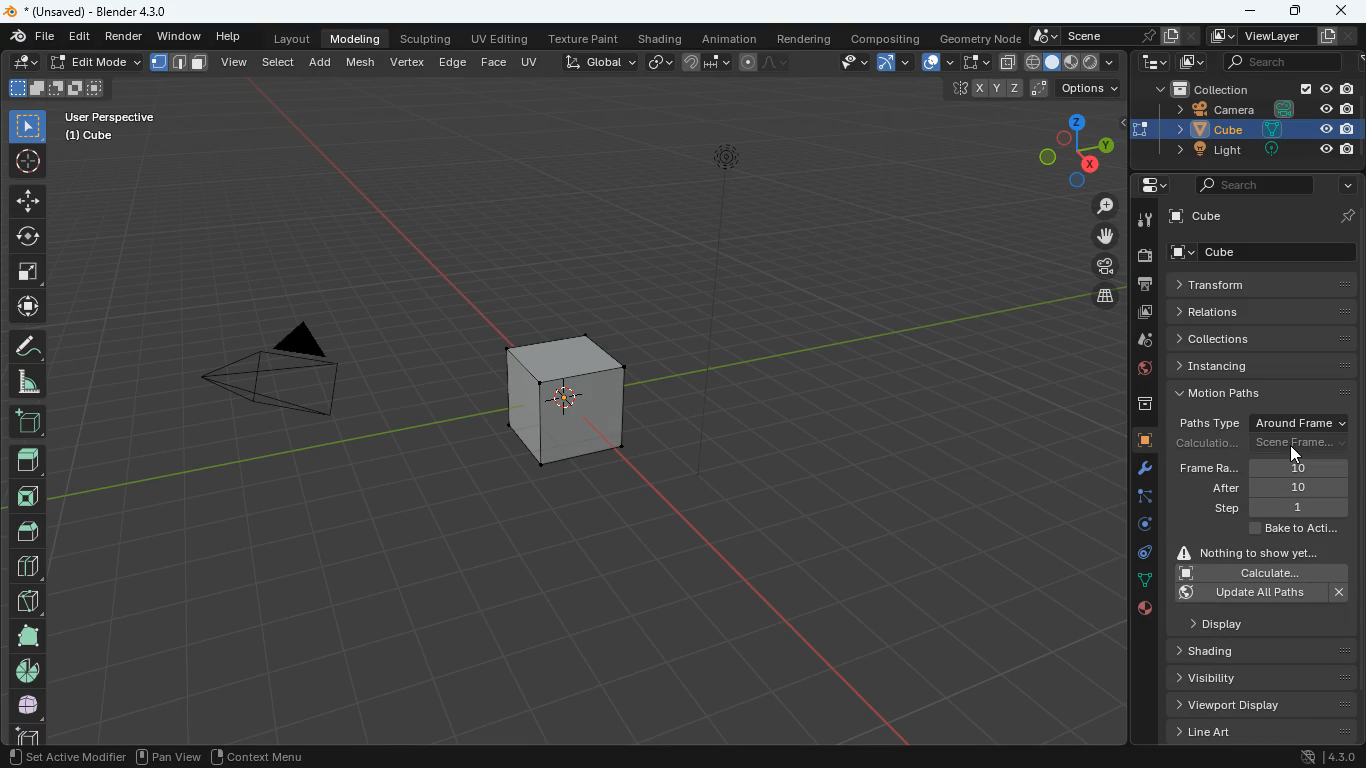  What do you see at coordinates (180, 63) in the screenshot?
I see `perks` at bounding box center [180, 63].